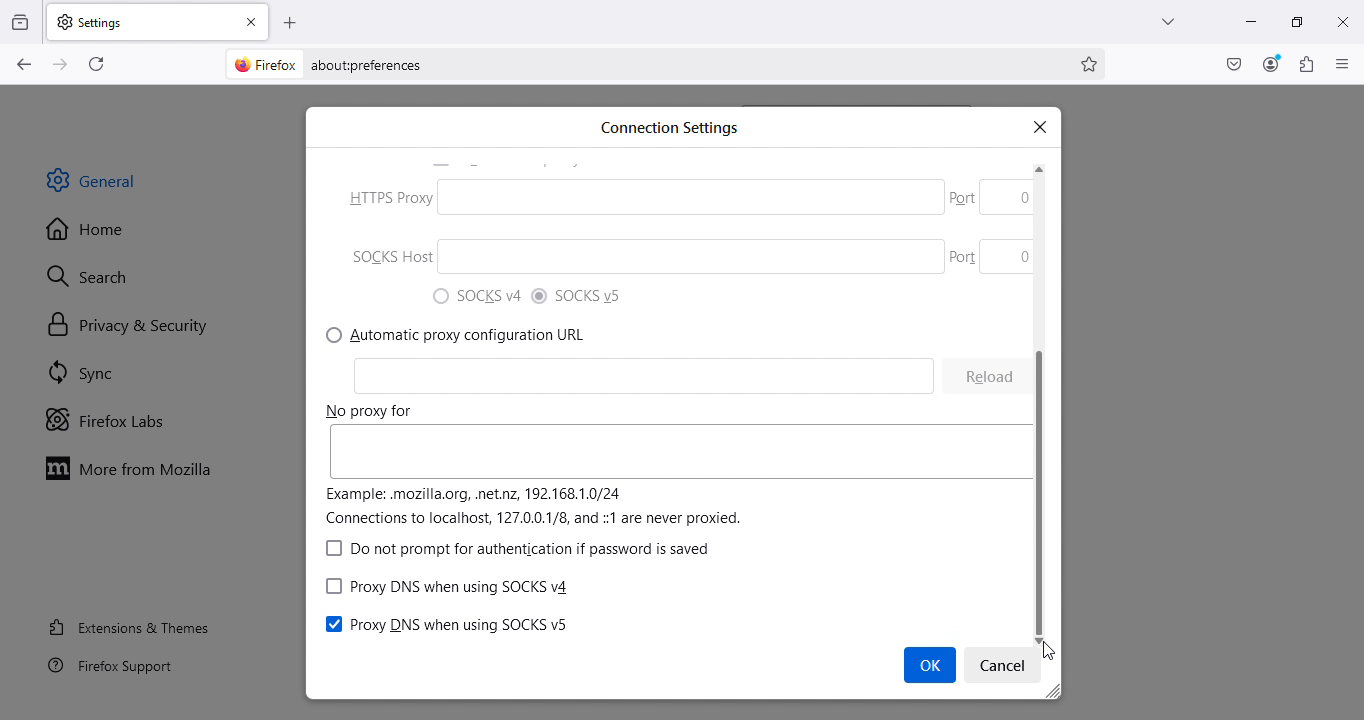  What do you see at coordinates (58, 63) in the screenshot?
I see `Go forward one page` at bounding box center [58, 63].